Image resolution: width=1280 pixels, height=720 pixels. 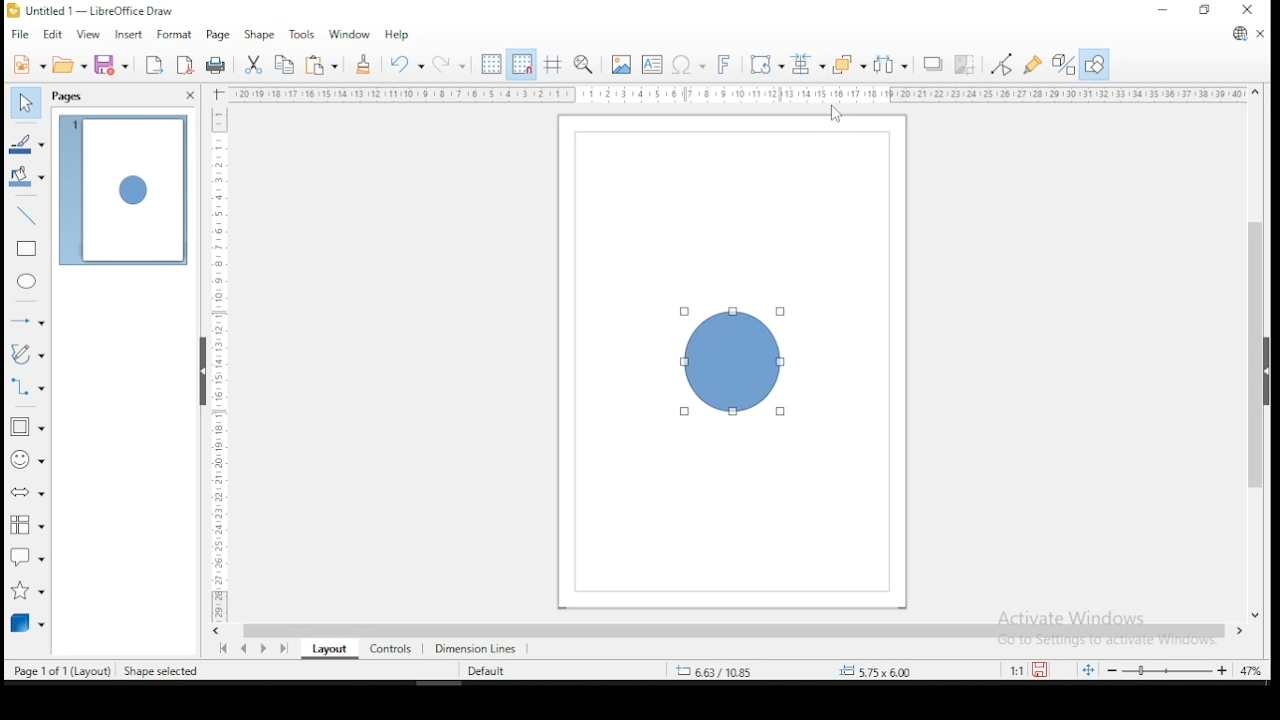 I want to click on insert, so click(x=126, y=35).